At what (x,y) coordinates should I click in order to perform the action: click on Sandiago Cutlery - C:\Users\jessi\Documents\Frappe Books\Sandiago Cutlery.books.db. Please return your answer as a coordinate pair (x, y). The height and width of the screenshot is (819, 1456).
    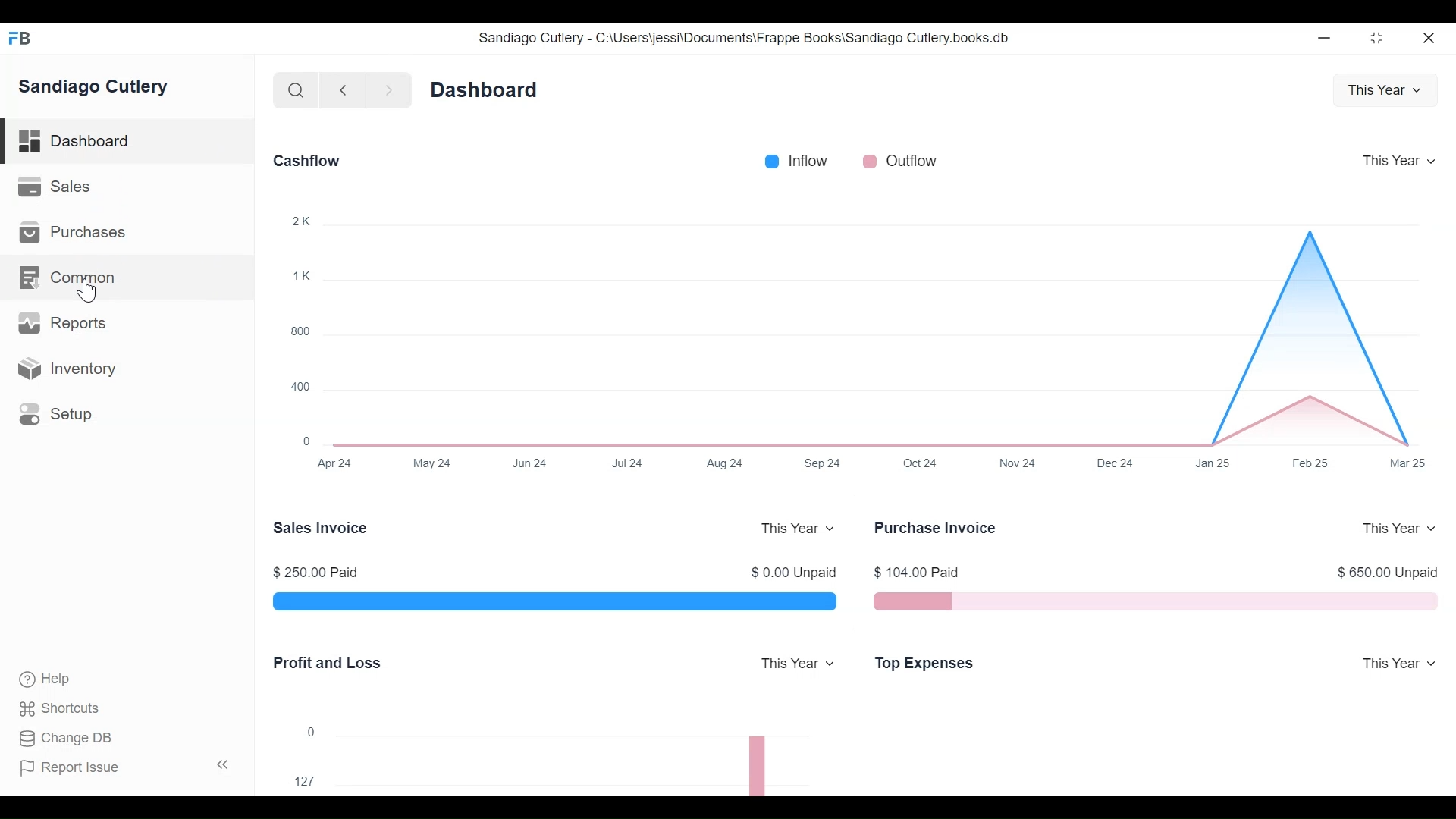
    Looking at the image, I should click on (748, 37).